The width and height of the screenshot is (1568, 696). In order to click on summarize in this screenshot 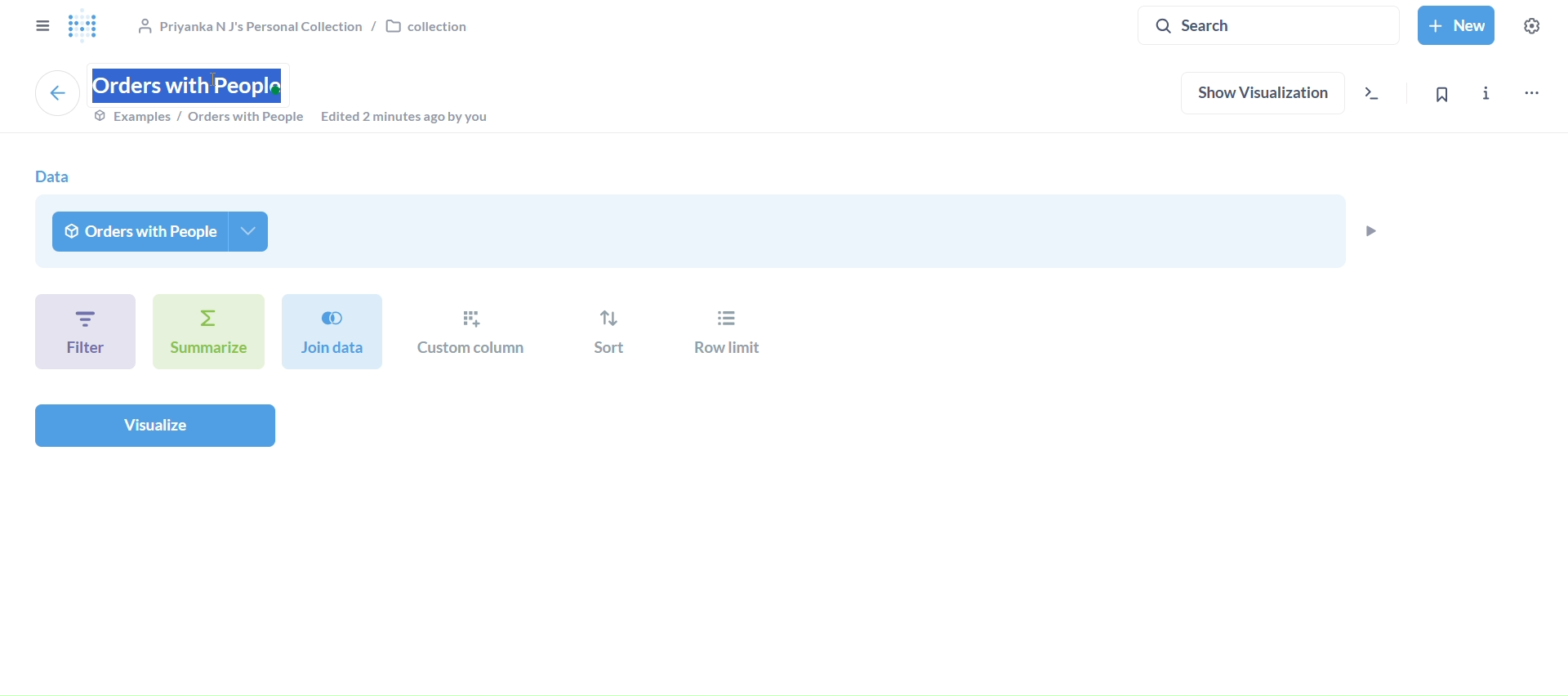, I will do `click(208, 332)`.